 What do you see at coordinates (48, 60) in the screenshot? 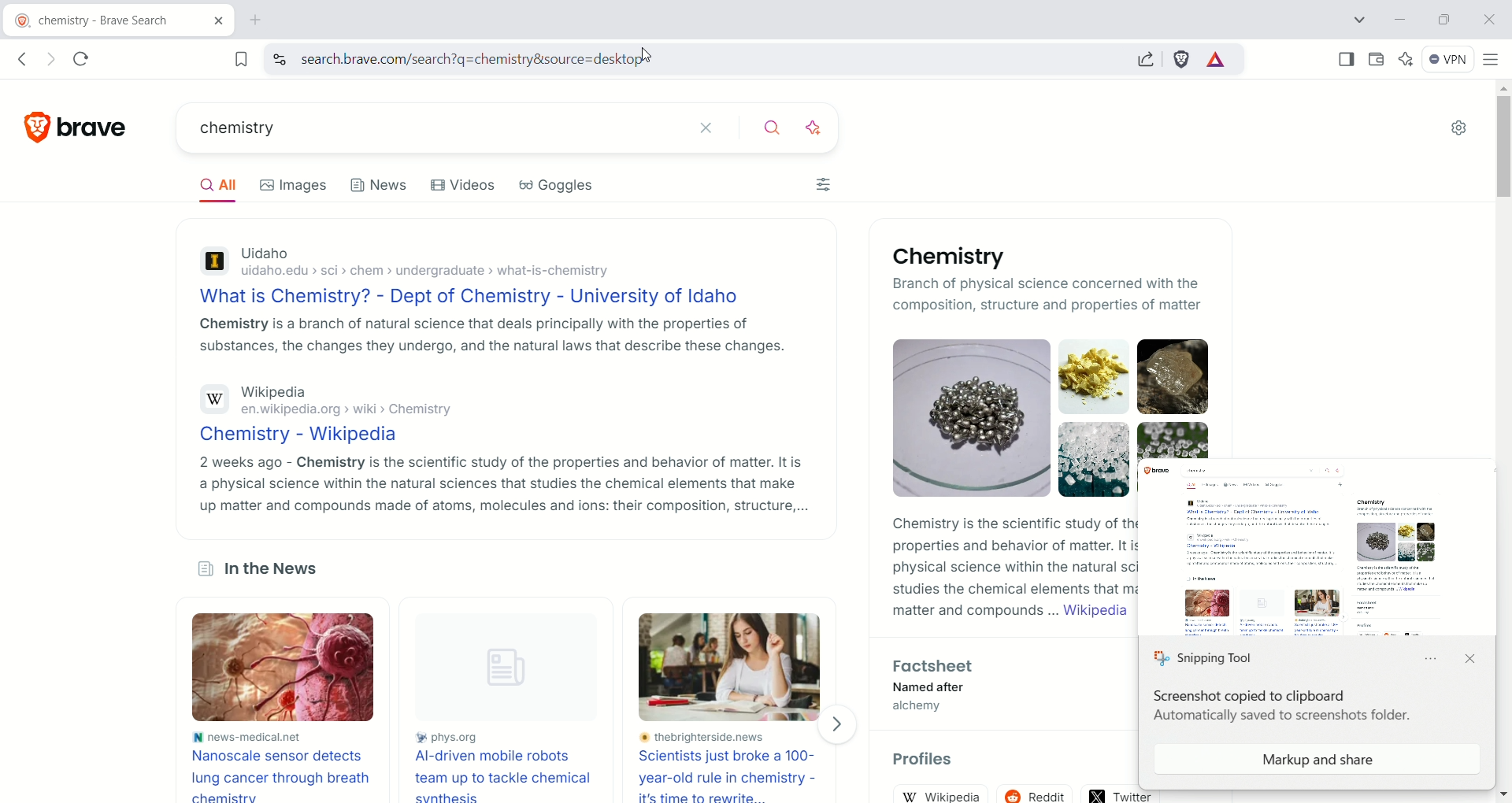
I see `go forward` at bounding box center [48, 60].